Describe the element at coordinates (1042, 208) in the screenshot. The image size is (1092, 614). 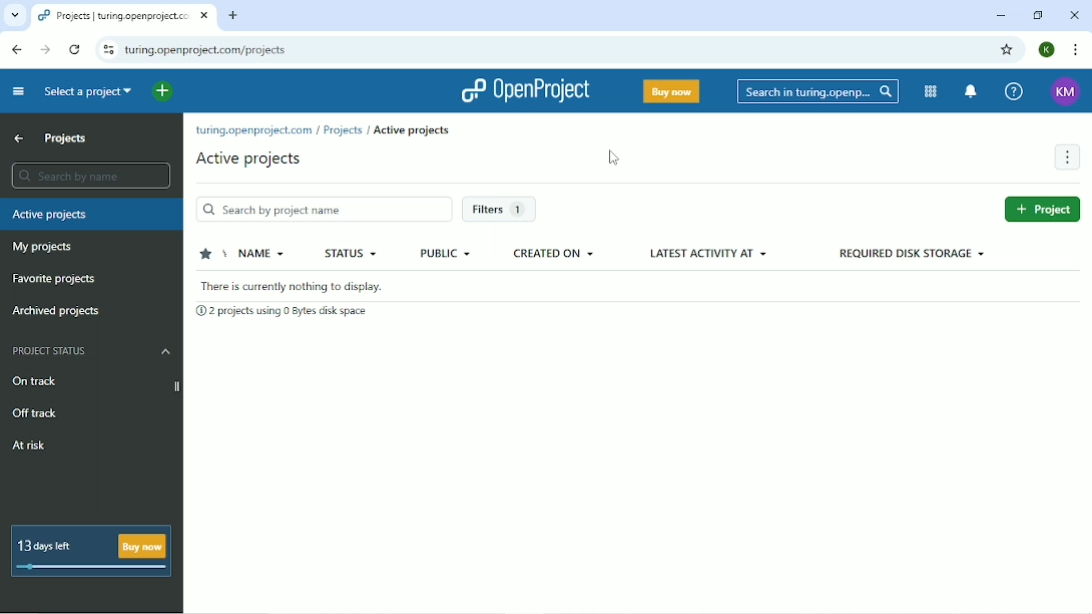
I see `Project` at that location.